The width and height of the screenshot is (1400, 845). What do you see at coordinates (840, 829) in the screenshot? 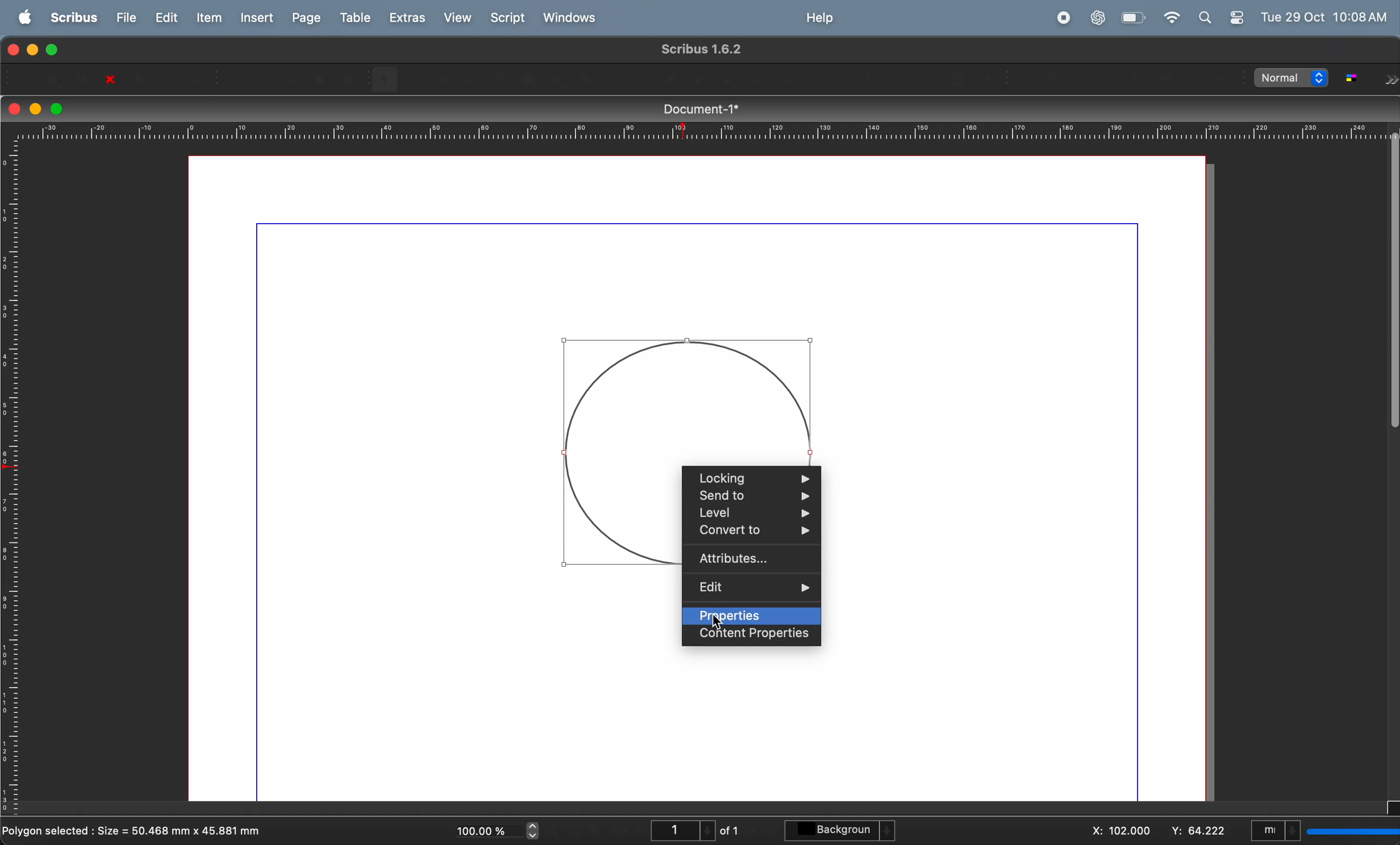
I see `background` at bounding box center [840, 829].